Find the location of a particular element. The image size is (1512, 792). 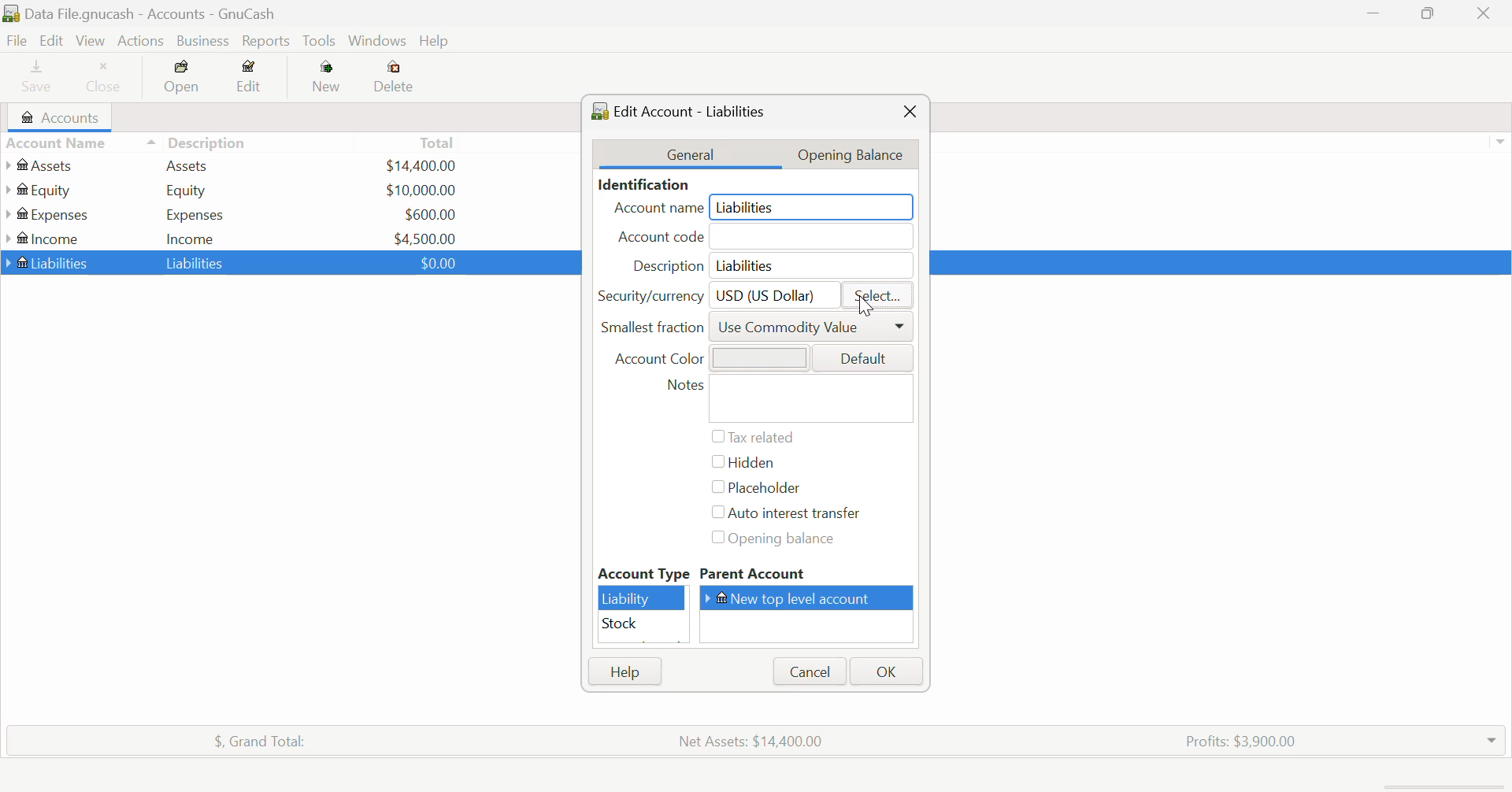

Help is located at coordinates (436, 42).